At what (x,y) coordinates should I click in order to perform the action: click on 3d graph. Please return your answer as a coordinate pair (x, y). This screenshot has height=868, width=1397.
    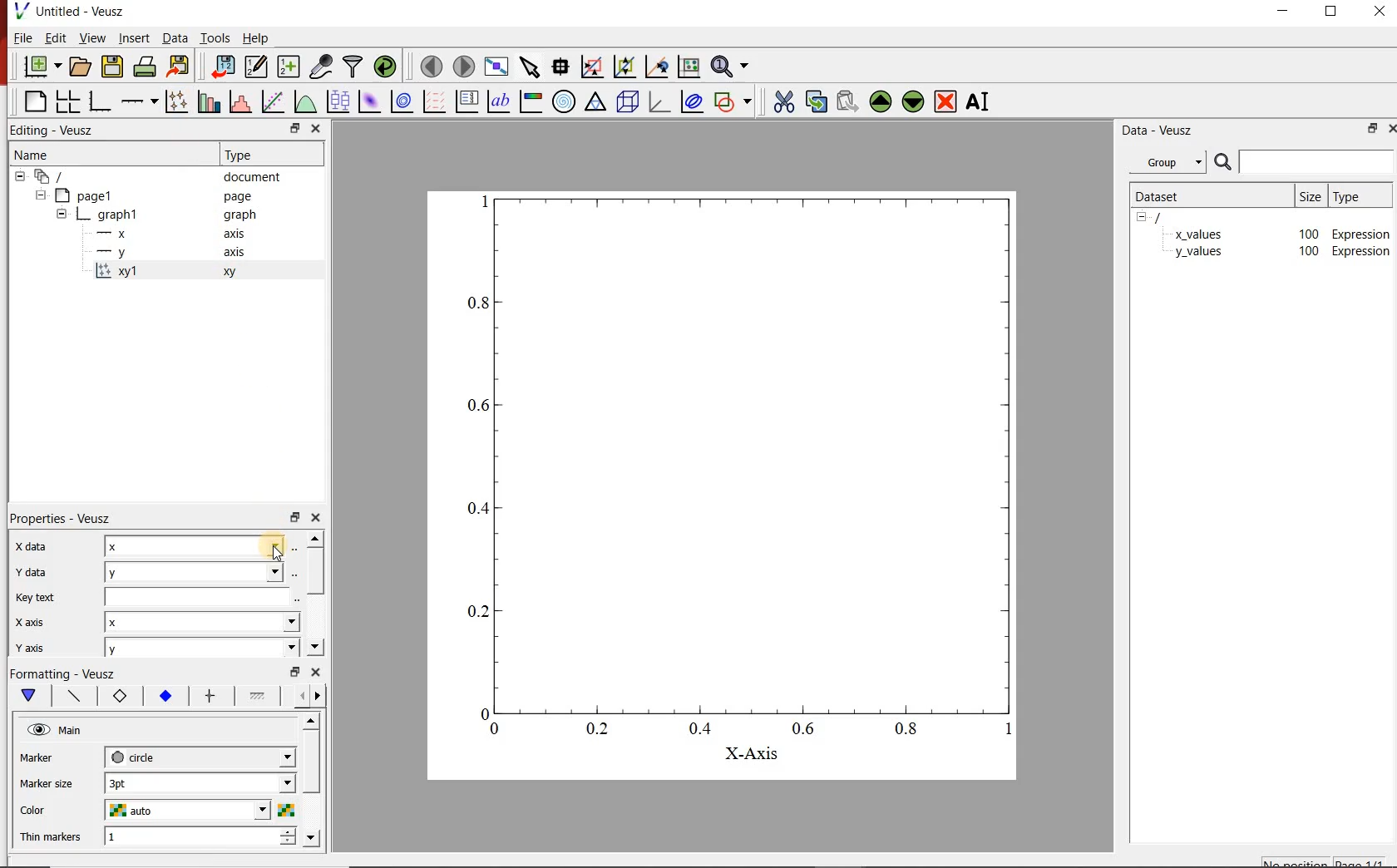
    Looking at the image, I should click on (660, 104).